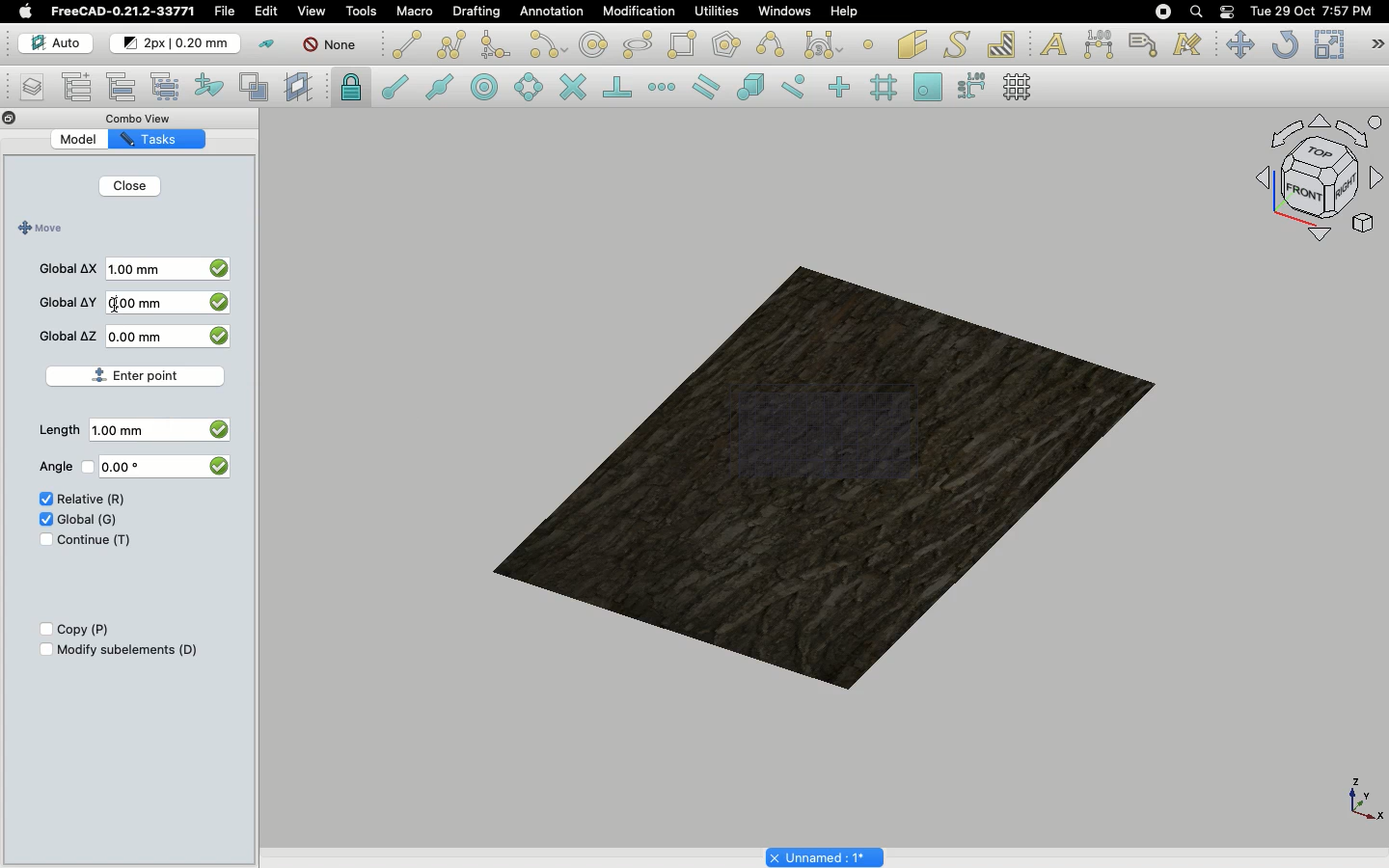 The image size is (1389, 868). What do you see at coordinates (1146, 44) in the screenshot?
I see `Label` at bounding box center [1146, 44].